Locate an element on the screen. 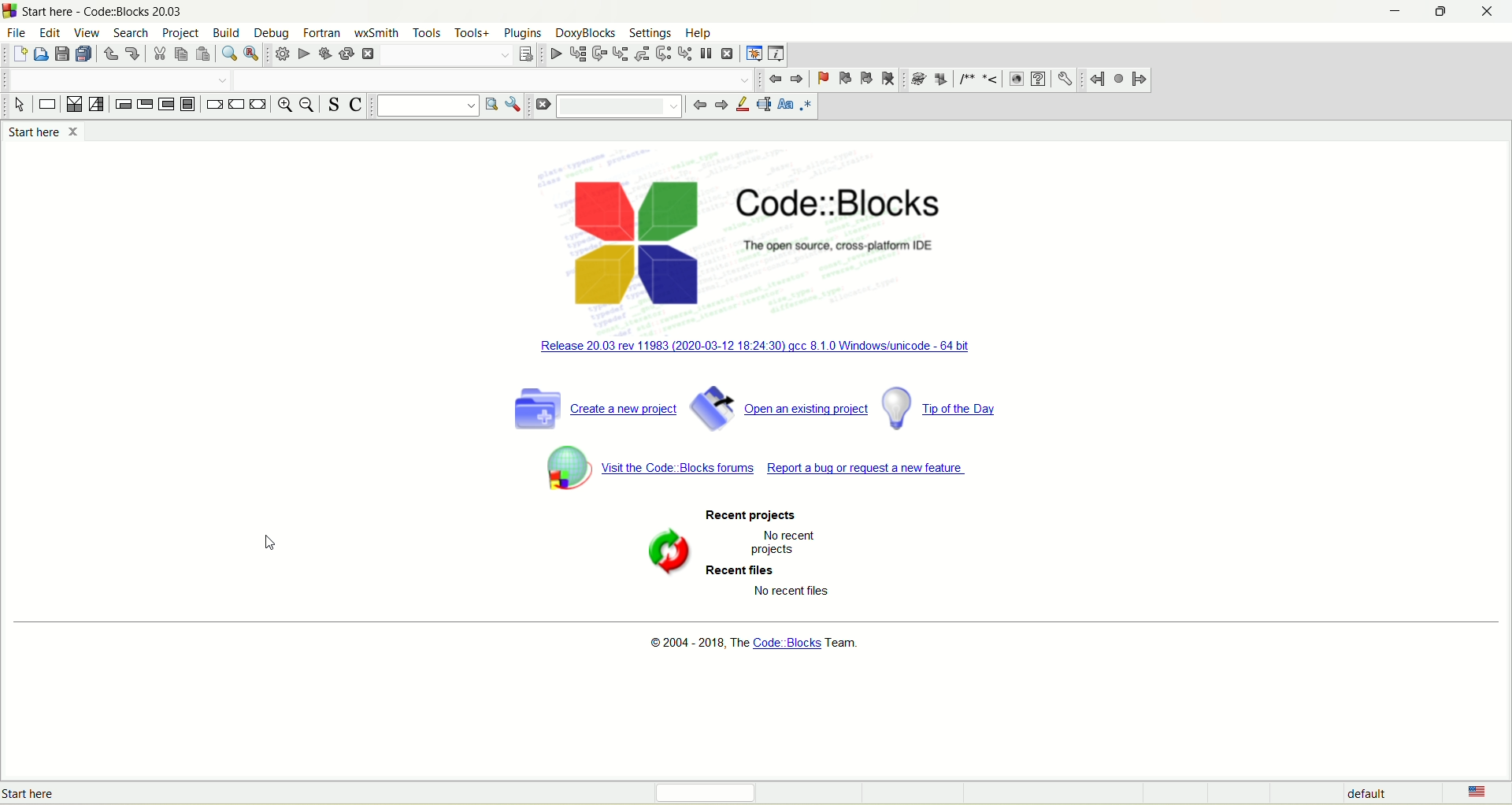 This screenshot has height=805, width=1512. rebuild is located at coordinates (344, 54).